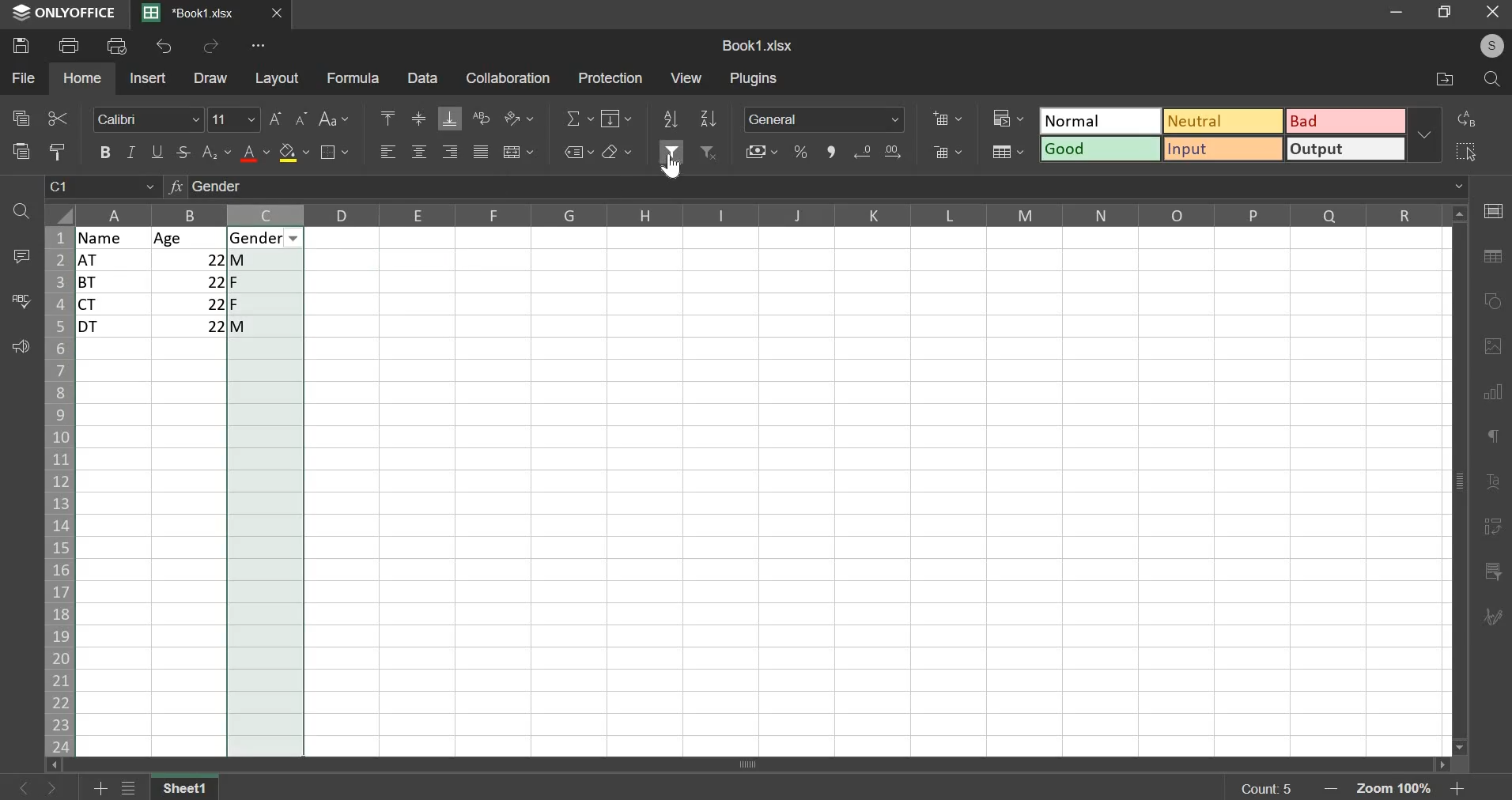 This screenshot has width=1512, height=800. What do you see at coordinates (18, 255) in the screenshot?
I see `add comment` at bounding box center [18, 255].